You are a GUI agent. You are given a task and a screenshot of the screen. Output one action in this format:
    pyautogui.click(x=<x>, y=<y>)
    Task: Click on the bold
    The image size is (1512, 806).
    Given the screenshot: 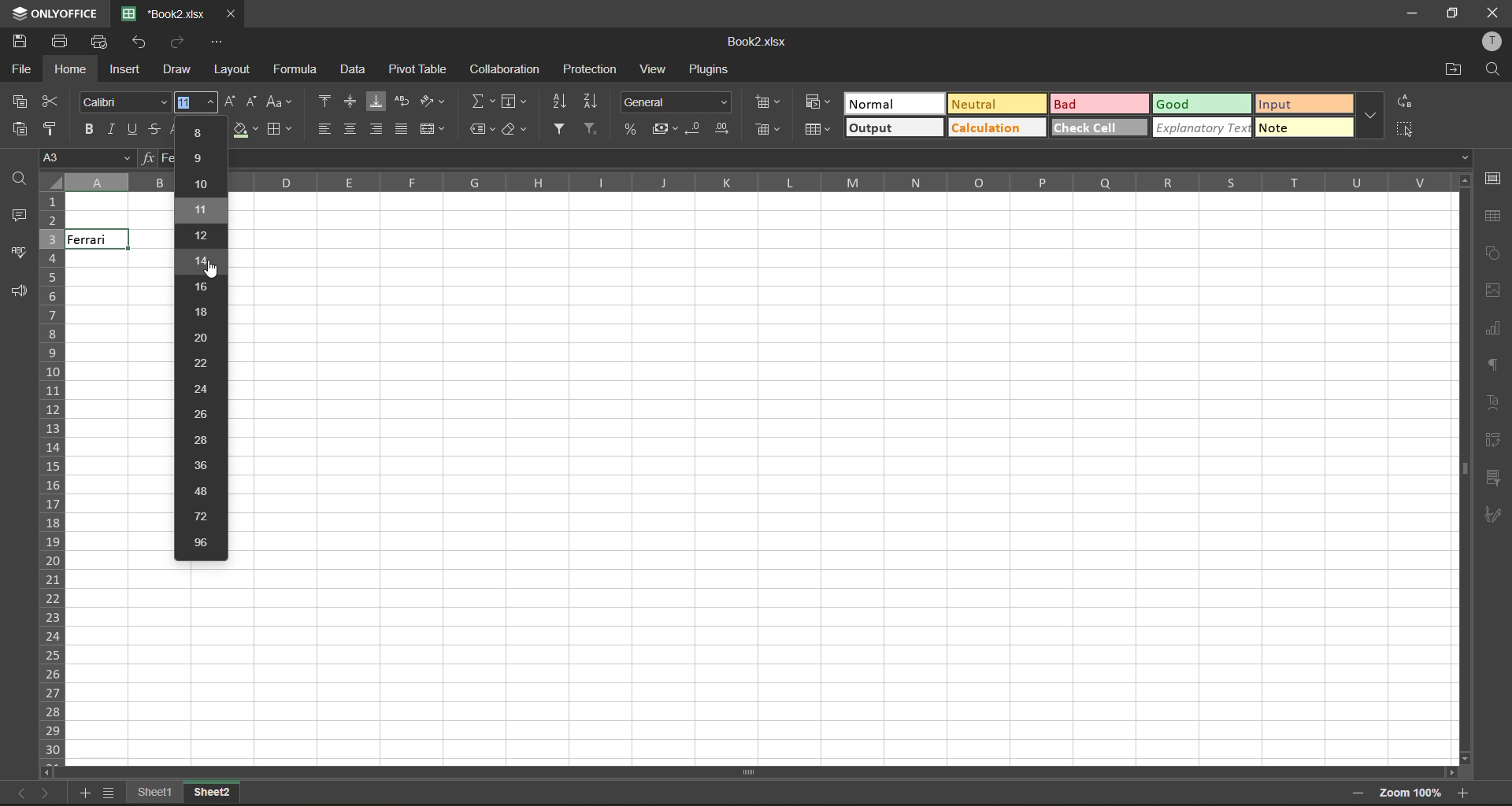 What is the action you would take?
    pyautogui.click(x=89, y=130)
    